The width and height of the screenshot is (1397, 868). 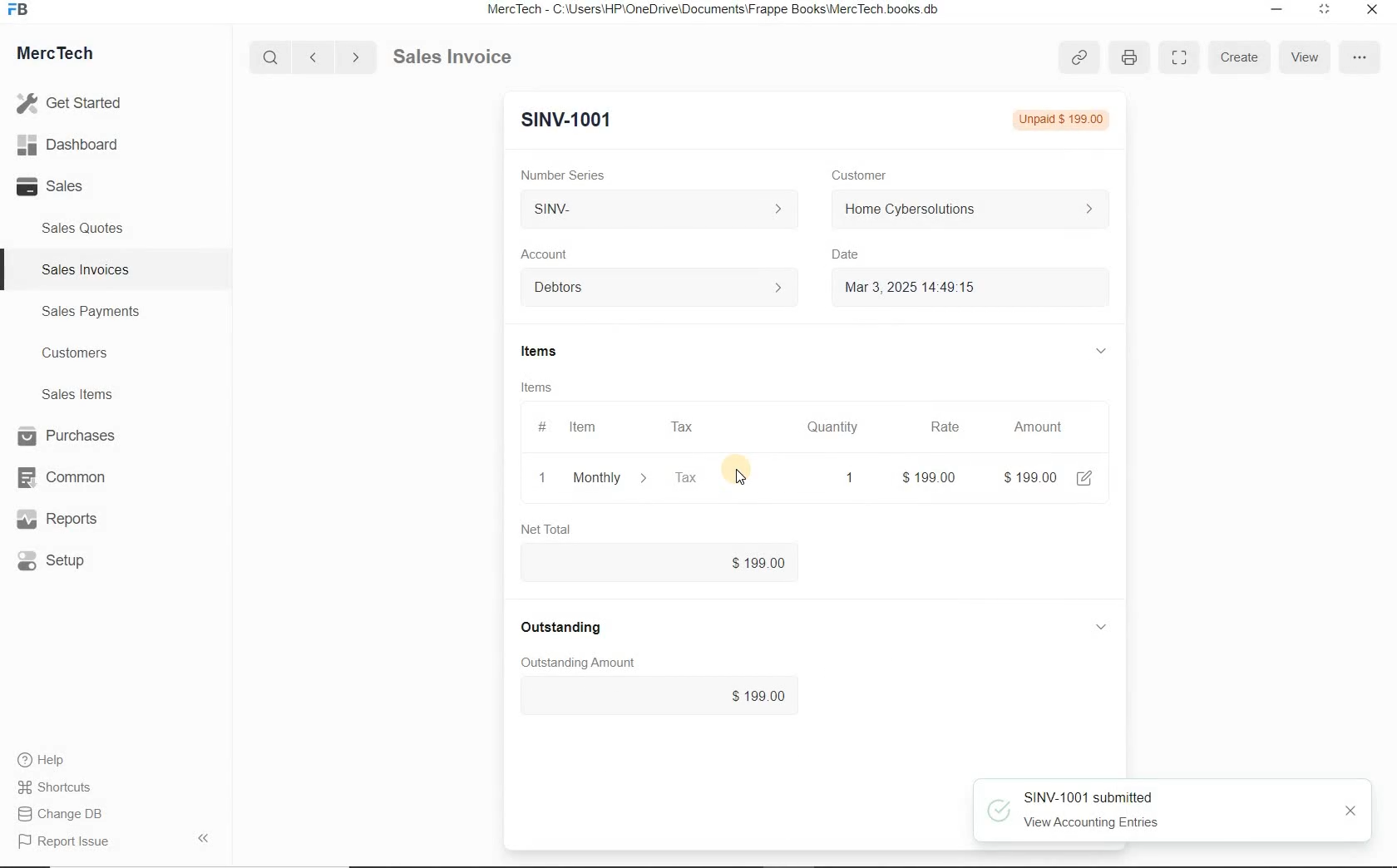 I want to click on $199.00, so click(x=657, y=697).